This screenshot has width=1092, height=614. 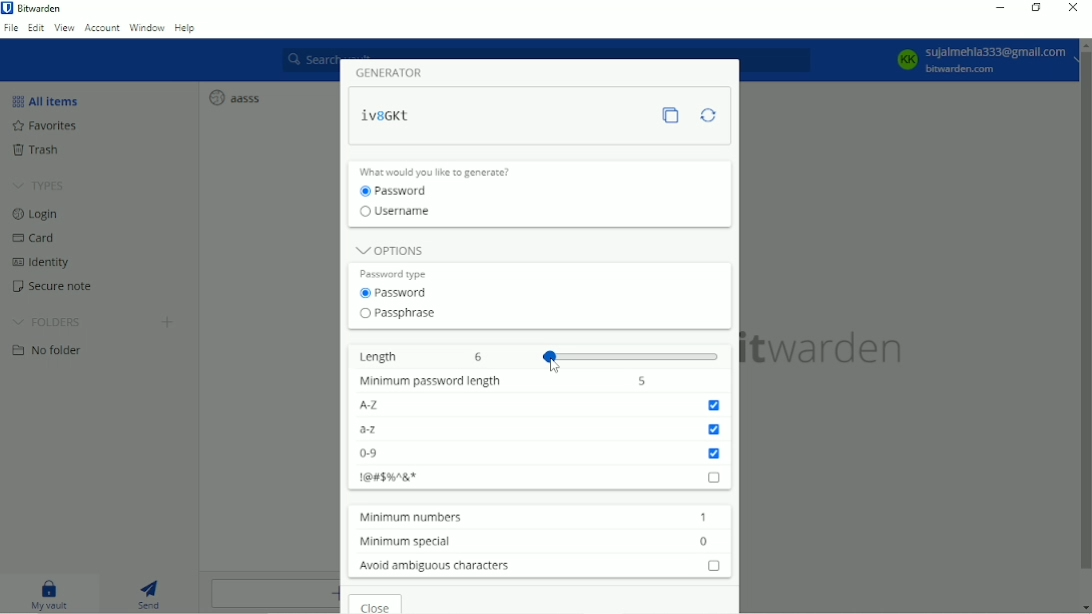 I want to click on Minimum numbers, so click(x=406, y=517).